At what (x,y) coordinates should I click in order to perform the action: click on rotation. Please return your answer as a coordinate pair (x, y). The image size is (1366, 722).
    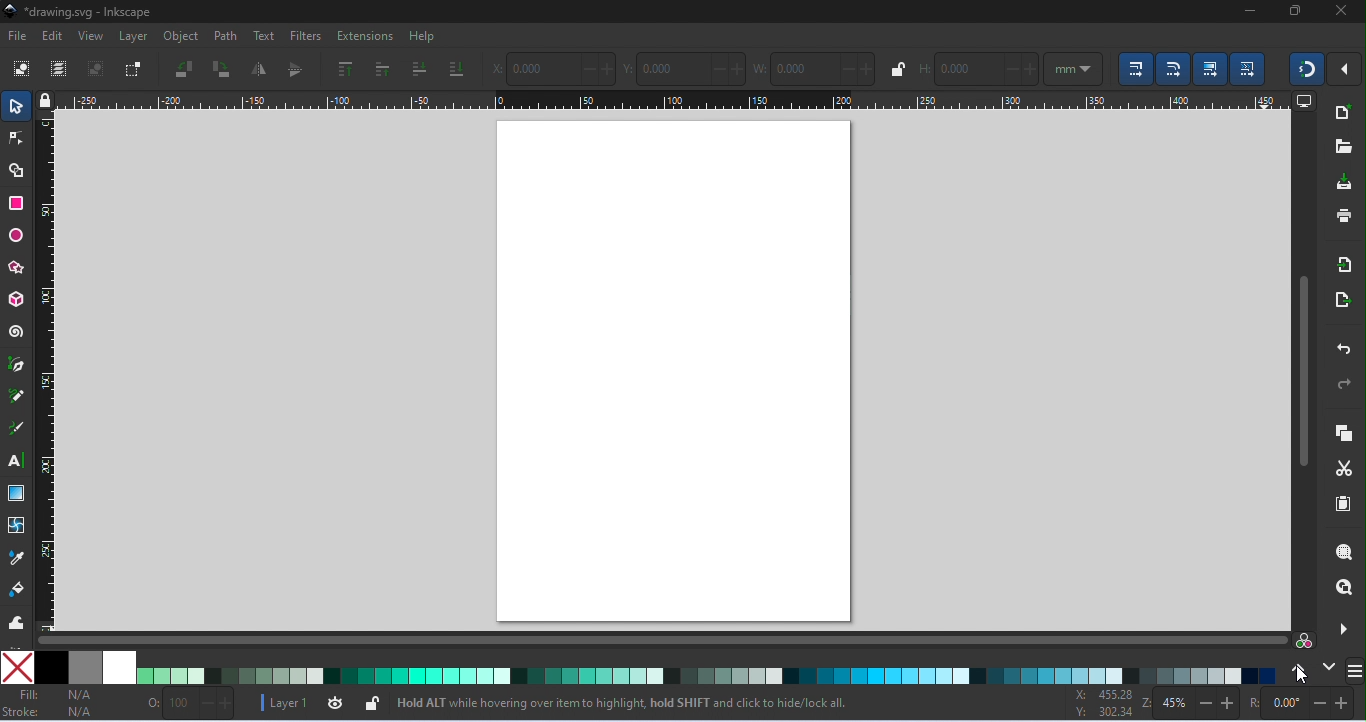
    Looking at the image, I should click on (1299, 703).